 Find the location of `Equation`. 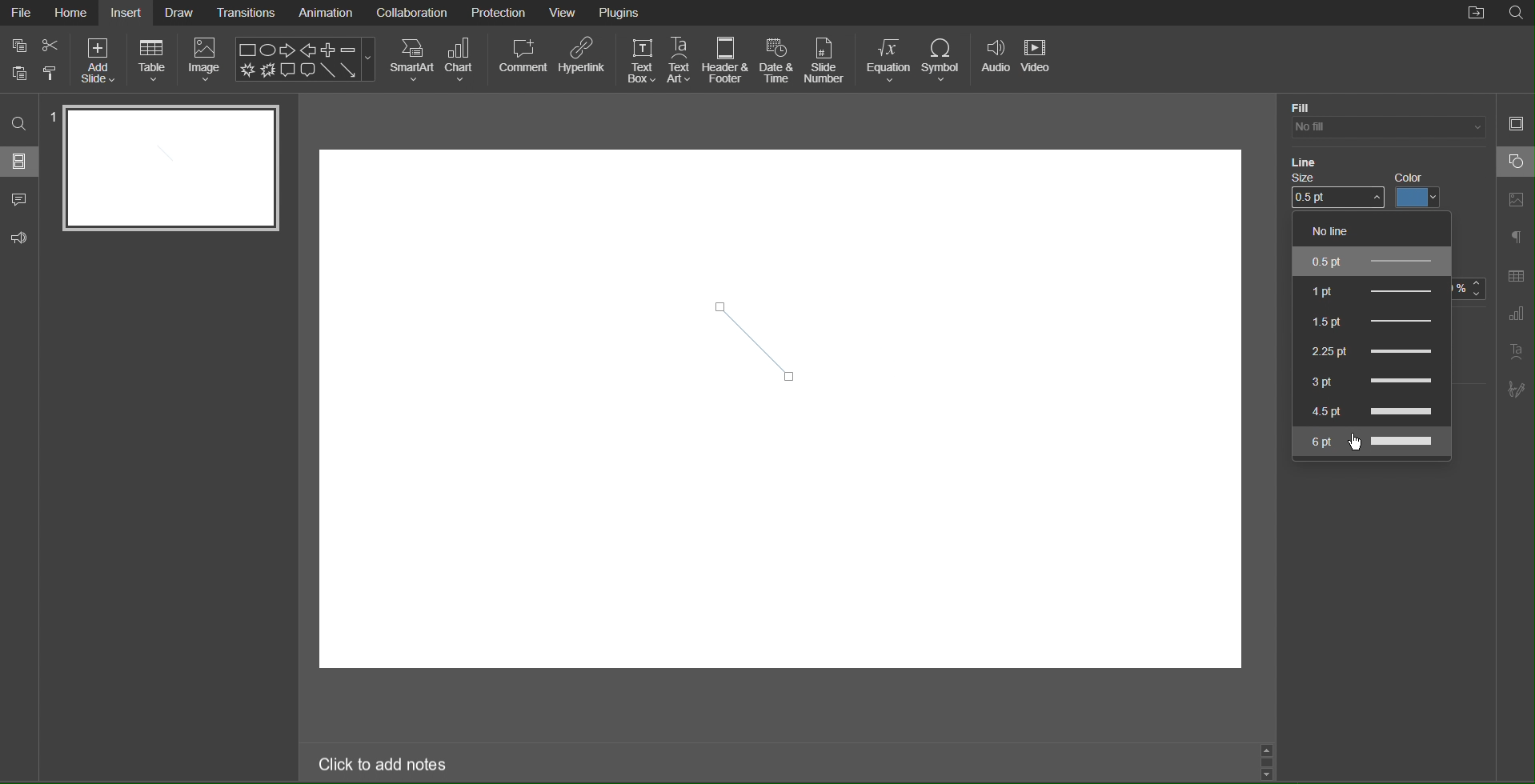

Equation is located at coordinates (888, 59).